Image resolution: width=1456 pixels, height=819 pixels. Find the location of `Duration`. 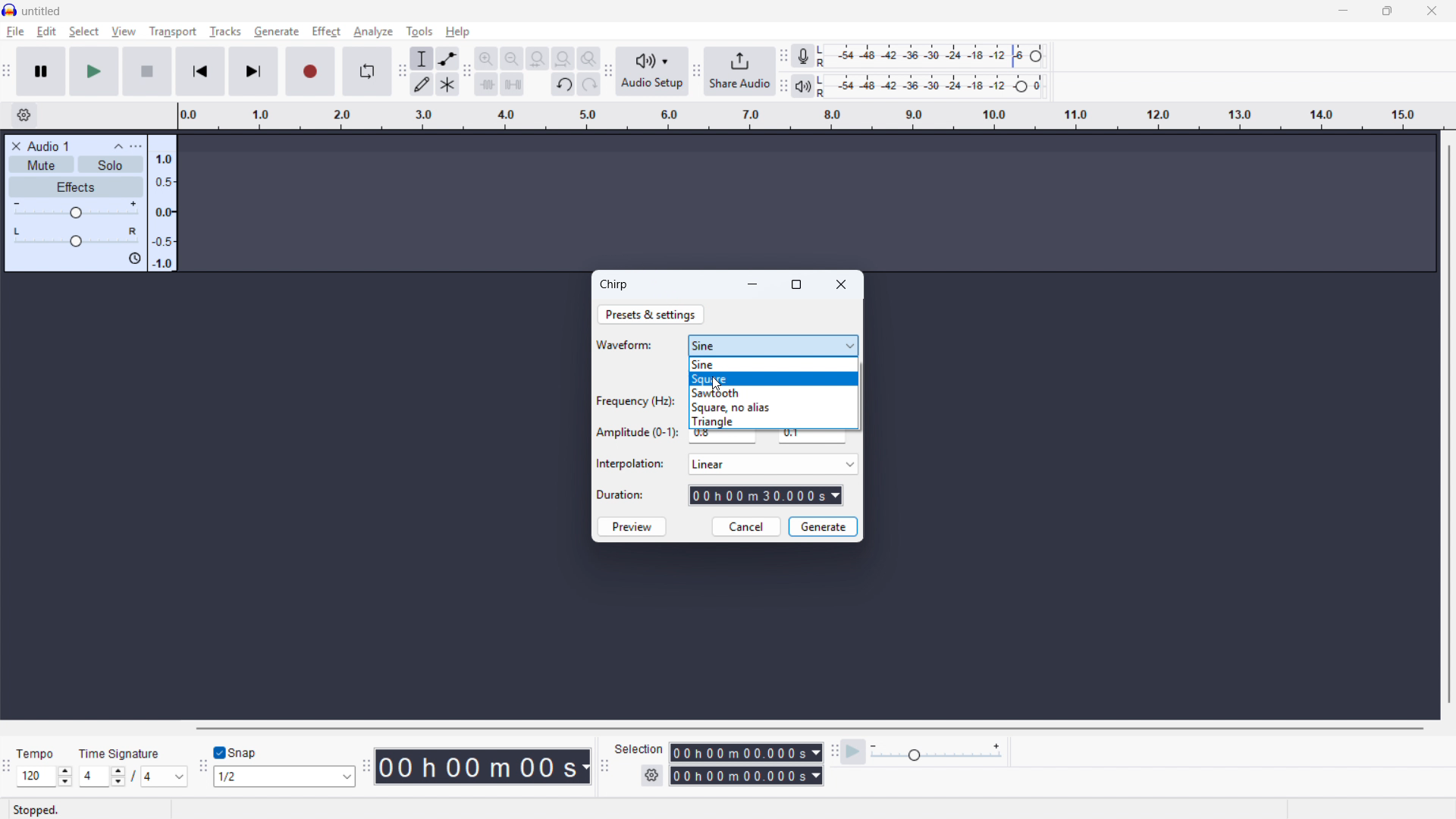

Duration is located at coordinates (621, 494).